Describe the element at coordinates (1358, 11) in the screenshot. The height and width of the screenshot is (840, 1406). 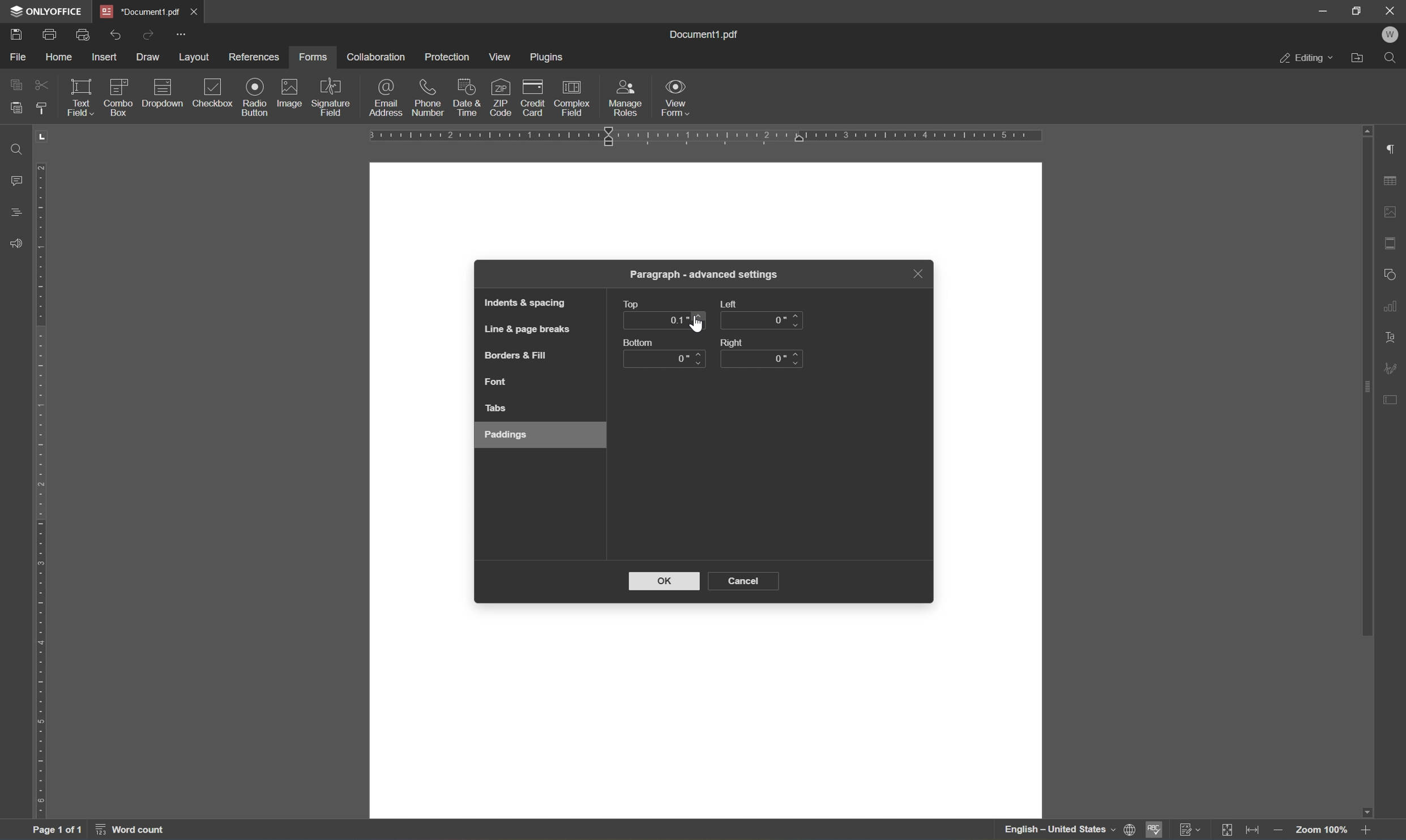
I see `restore down` at that location.